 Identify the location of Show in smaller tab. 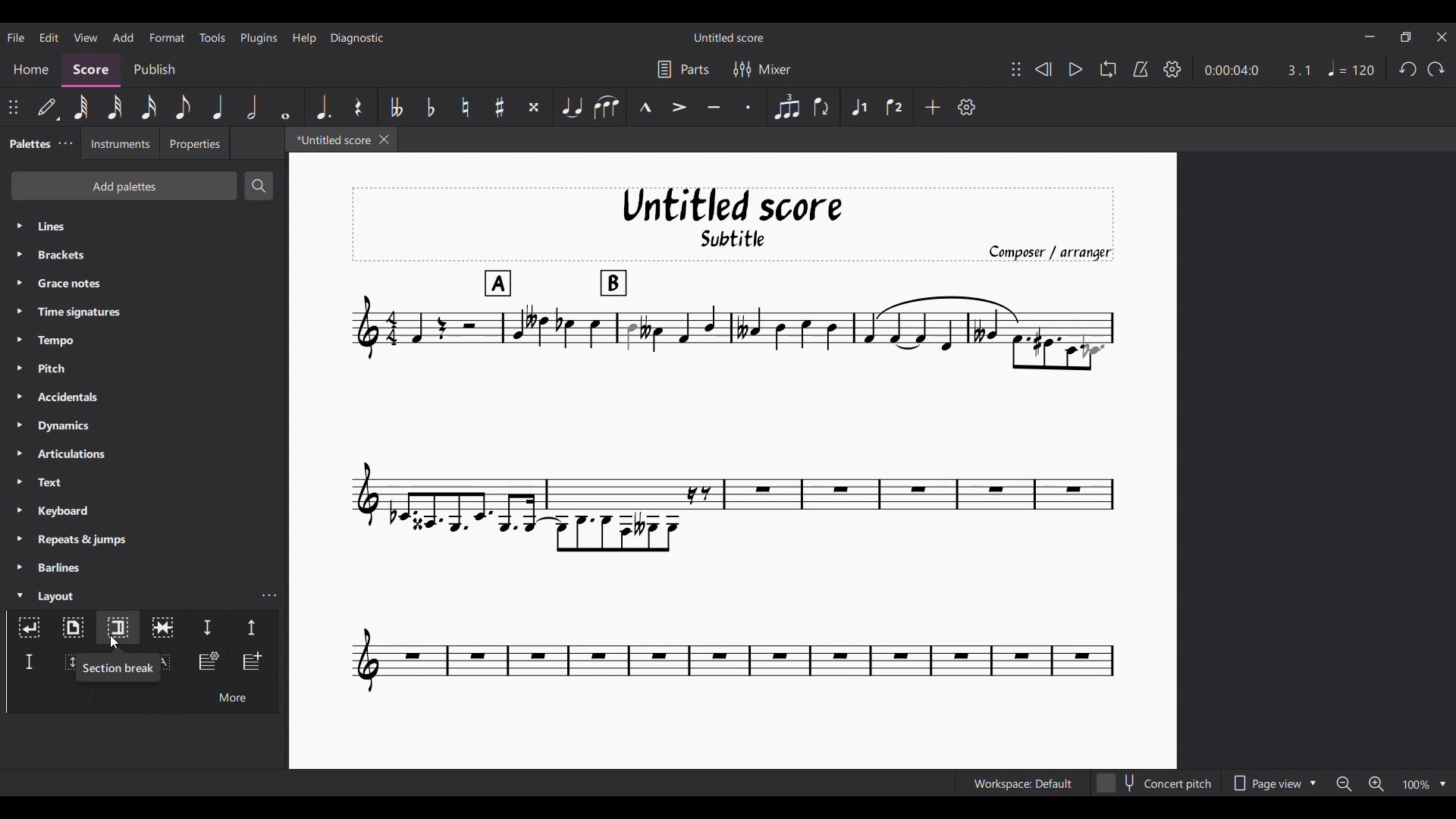
(1405, 37).